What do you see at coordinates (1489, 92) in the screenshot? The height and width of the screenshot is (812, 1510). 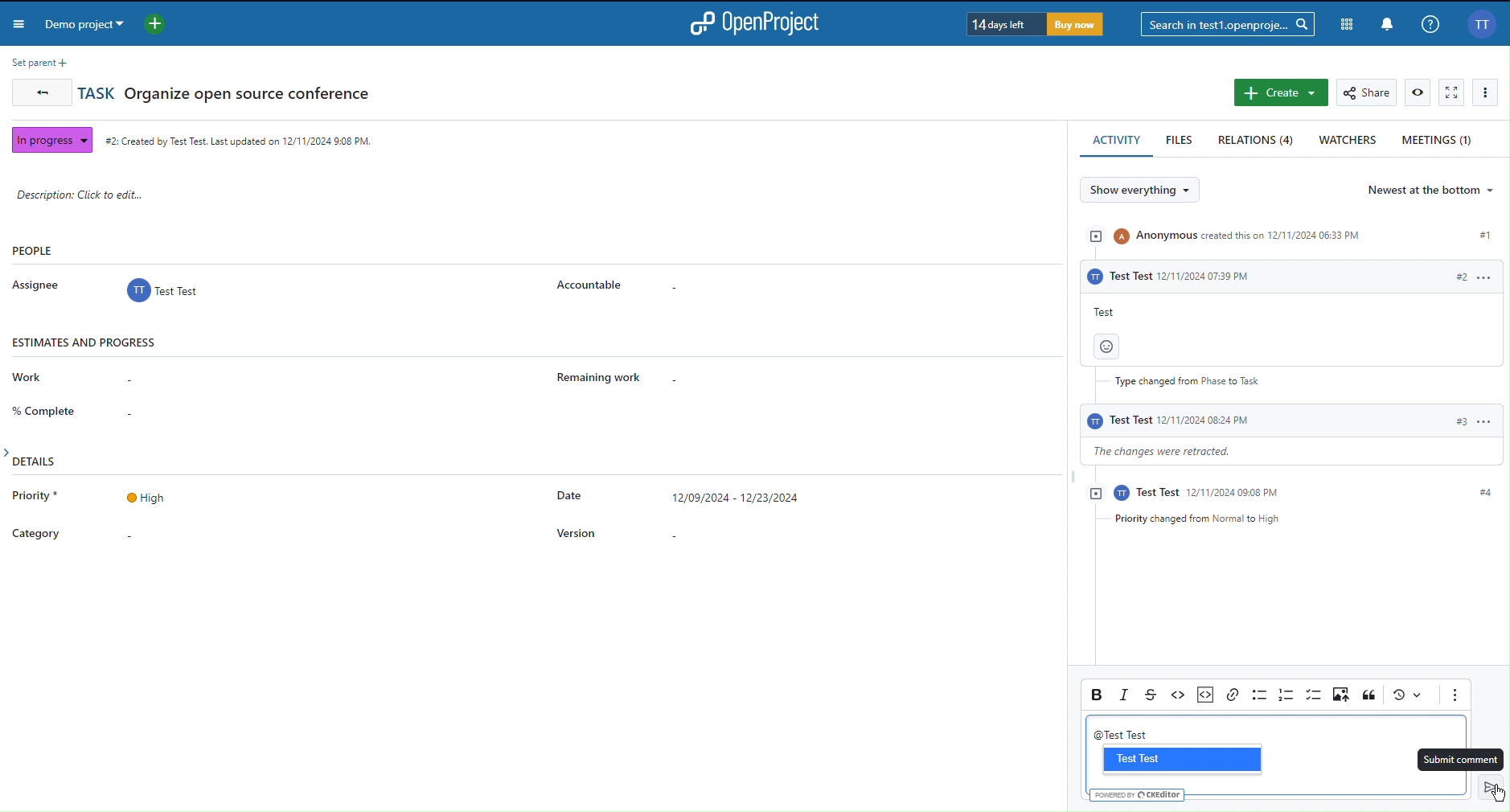 I see `Options` at bounding box center [1489, 92].